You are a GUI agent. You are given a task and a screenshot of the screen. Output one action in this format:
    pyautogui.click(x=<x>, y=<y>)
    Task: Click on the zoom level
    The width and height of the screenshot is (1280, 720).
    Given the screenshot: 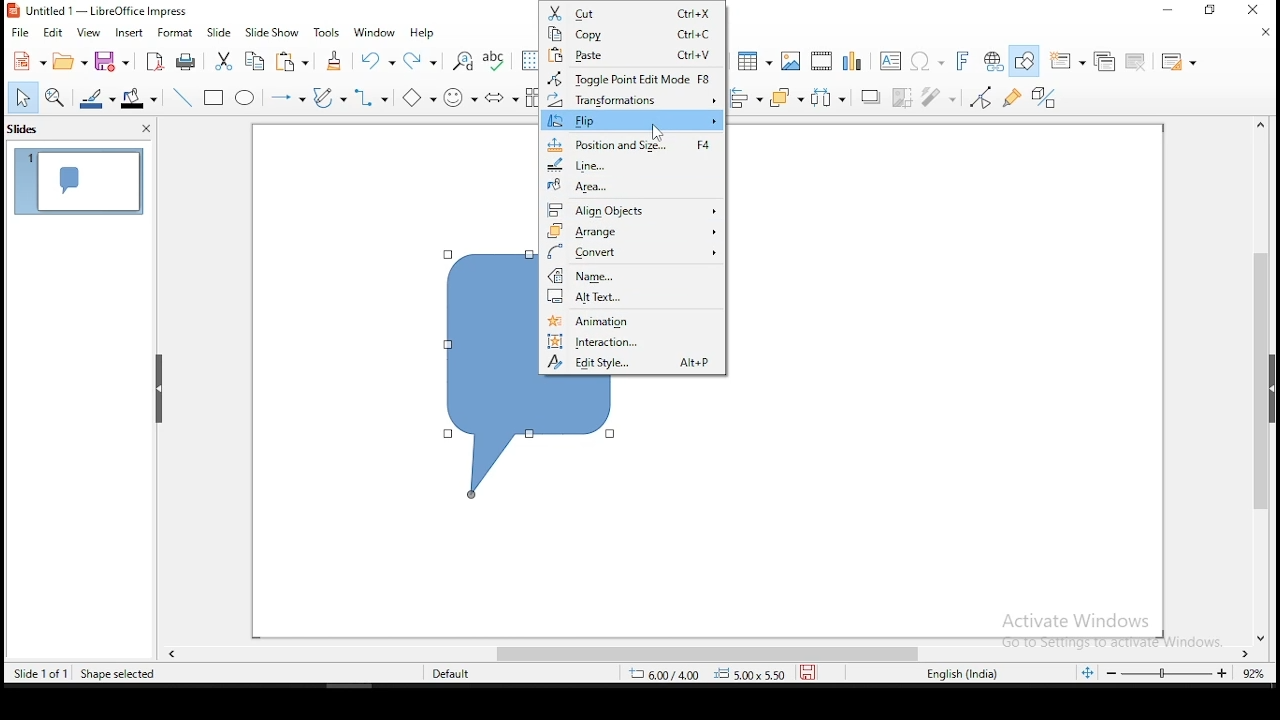 What is the action you would take?
    pyautogui.click(x=1251, y=672)
    